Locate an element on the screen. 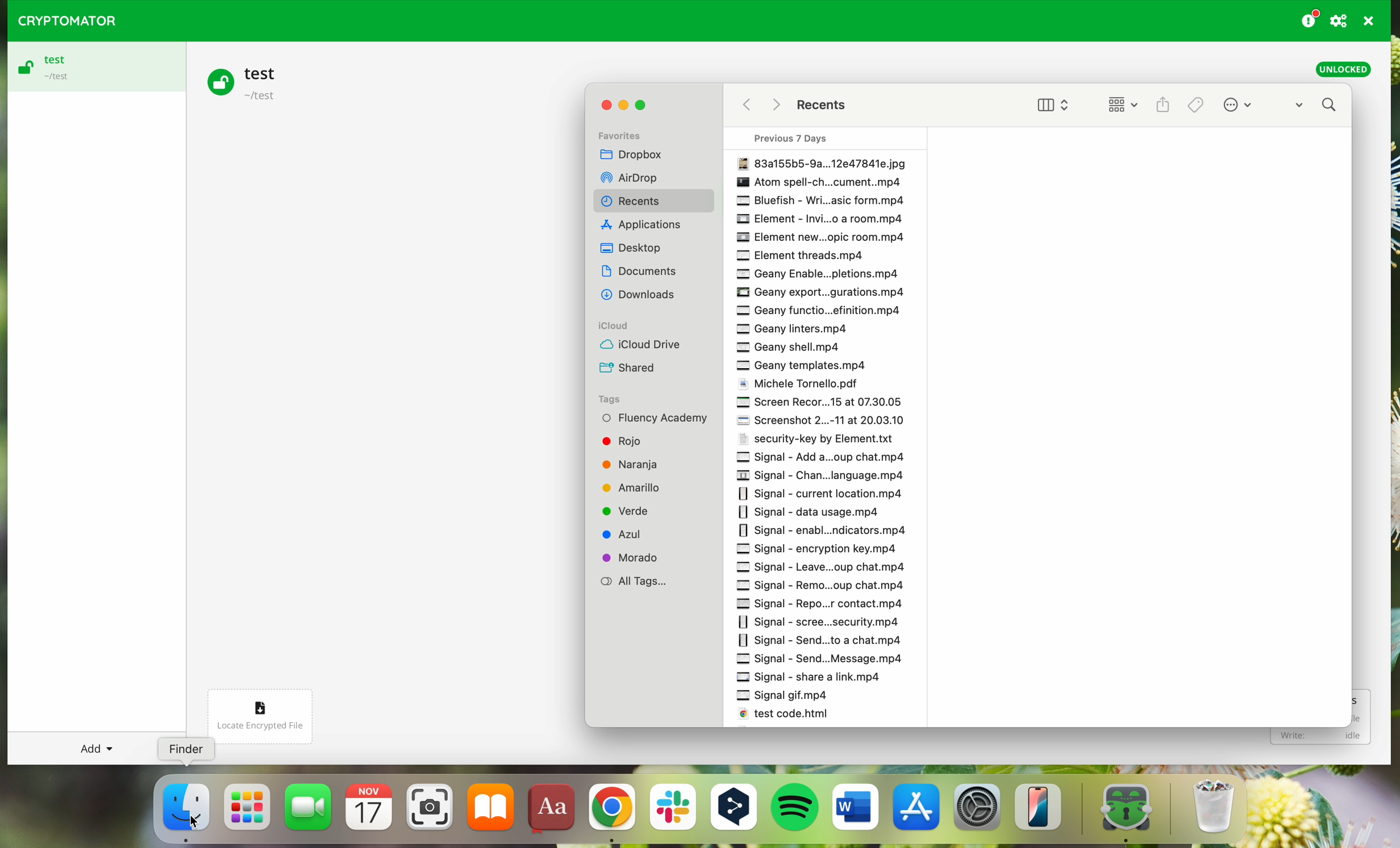 The width and height of the screenshot is (1400, 848). signal leave is located at coordinates (836, 569).